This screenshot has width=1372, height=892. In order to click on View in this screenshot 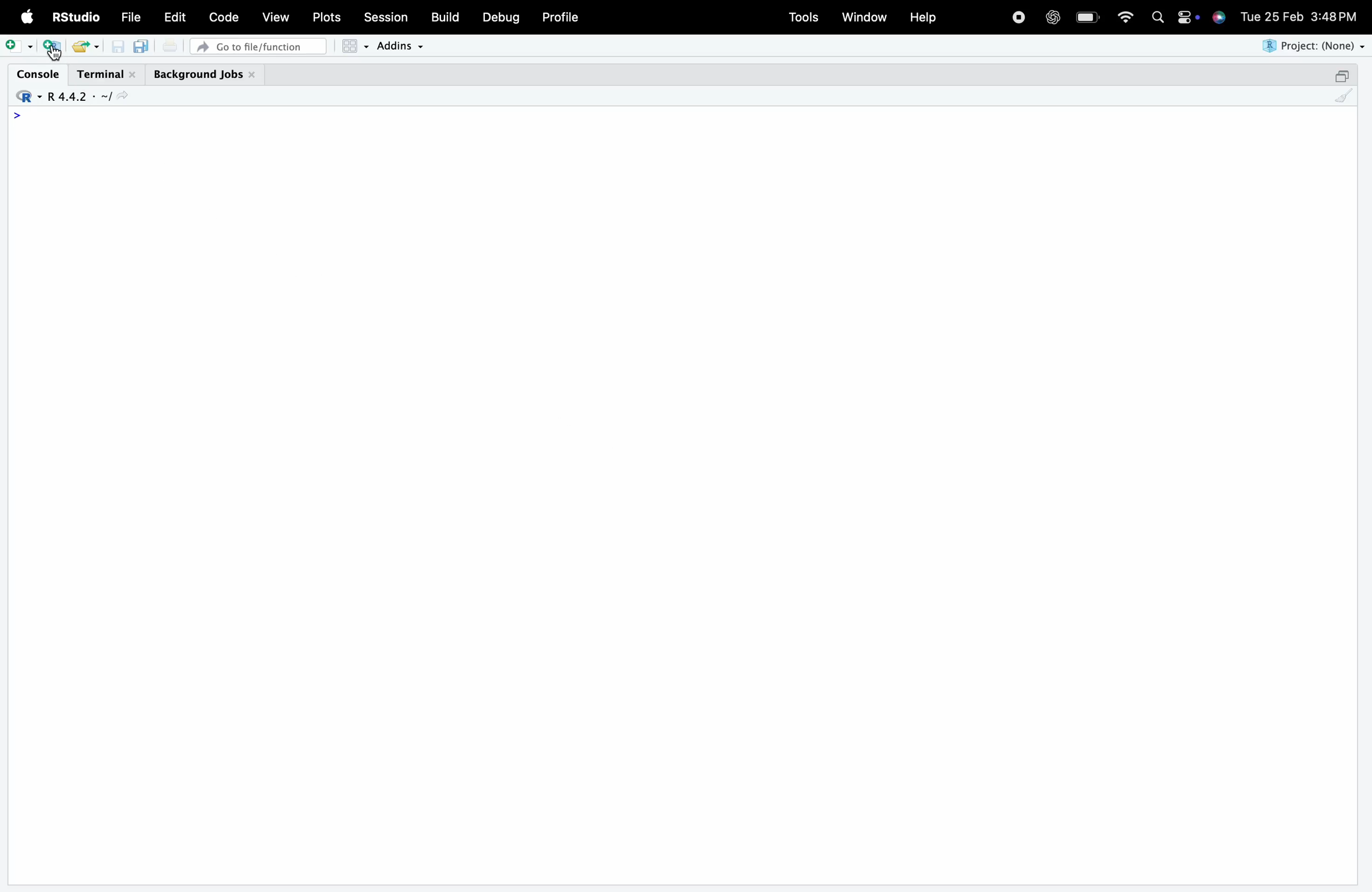, I will do `click(276, 16)`.